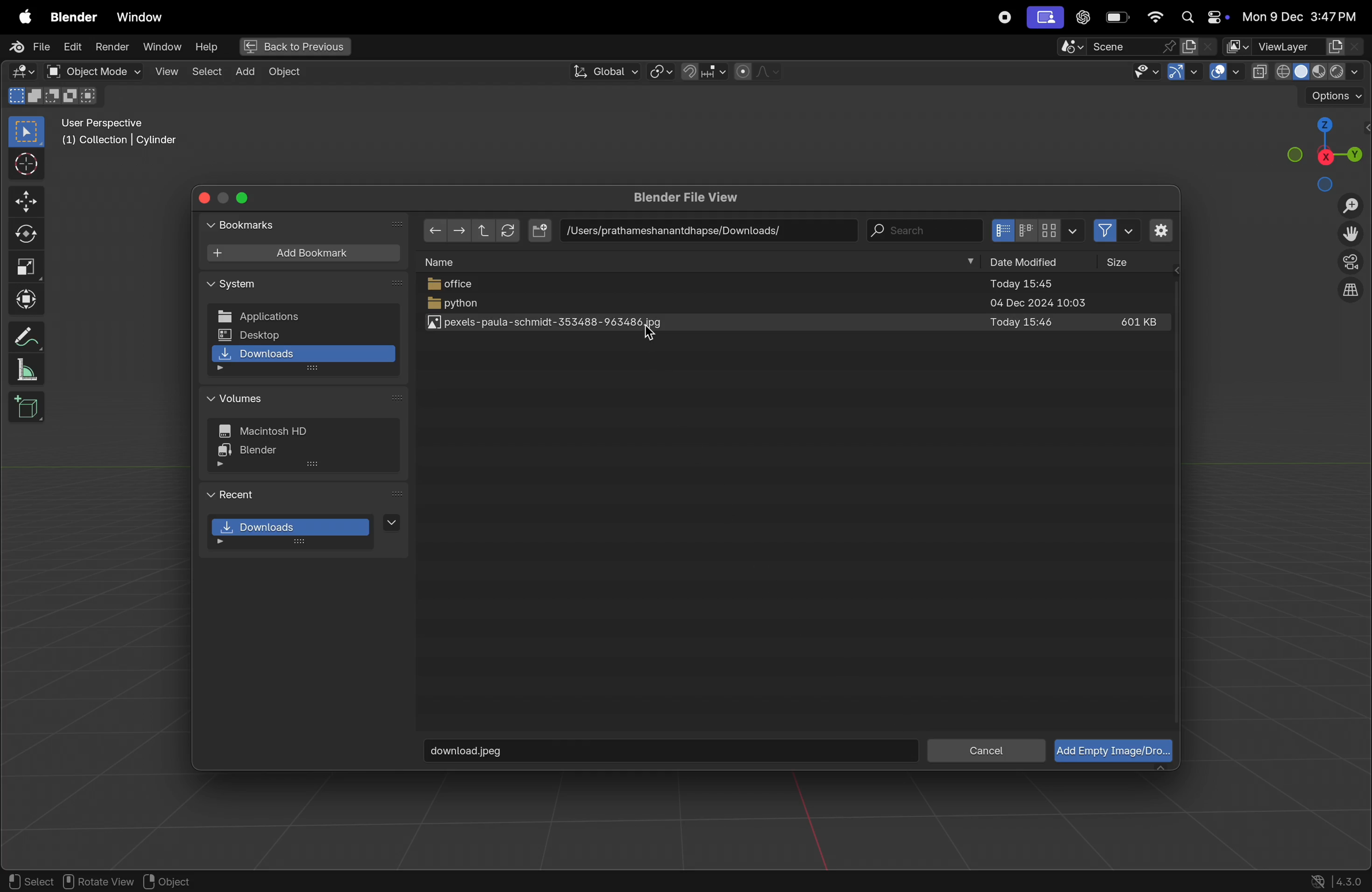 The image size is (1372, 892). What do you see at coordinates (29, 881) in the screenshot?
I see `select` at bounding box center [29, 881].